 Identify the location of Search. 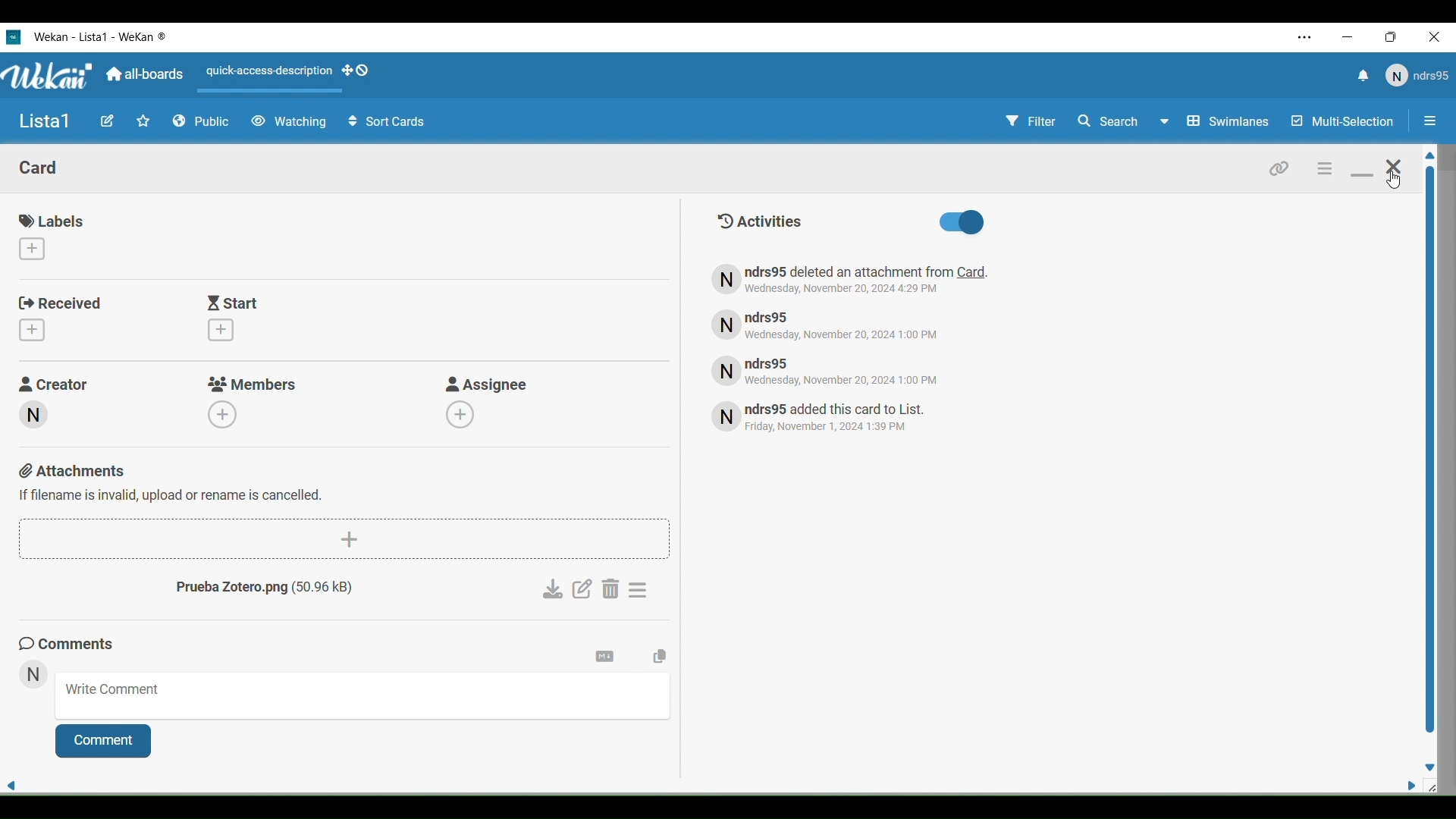
(1122, 121).